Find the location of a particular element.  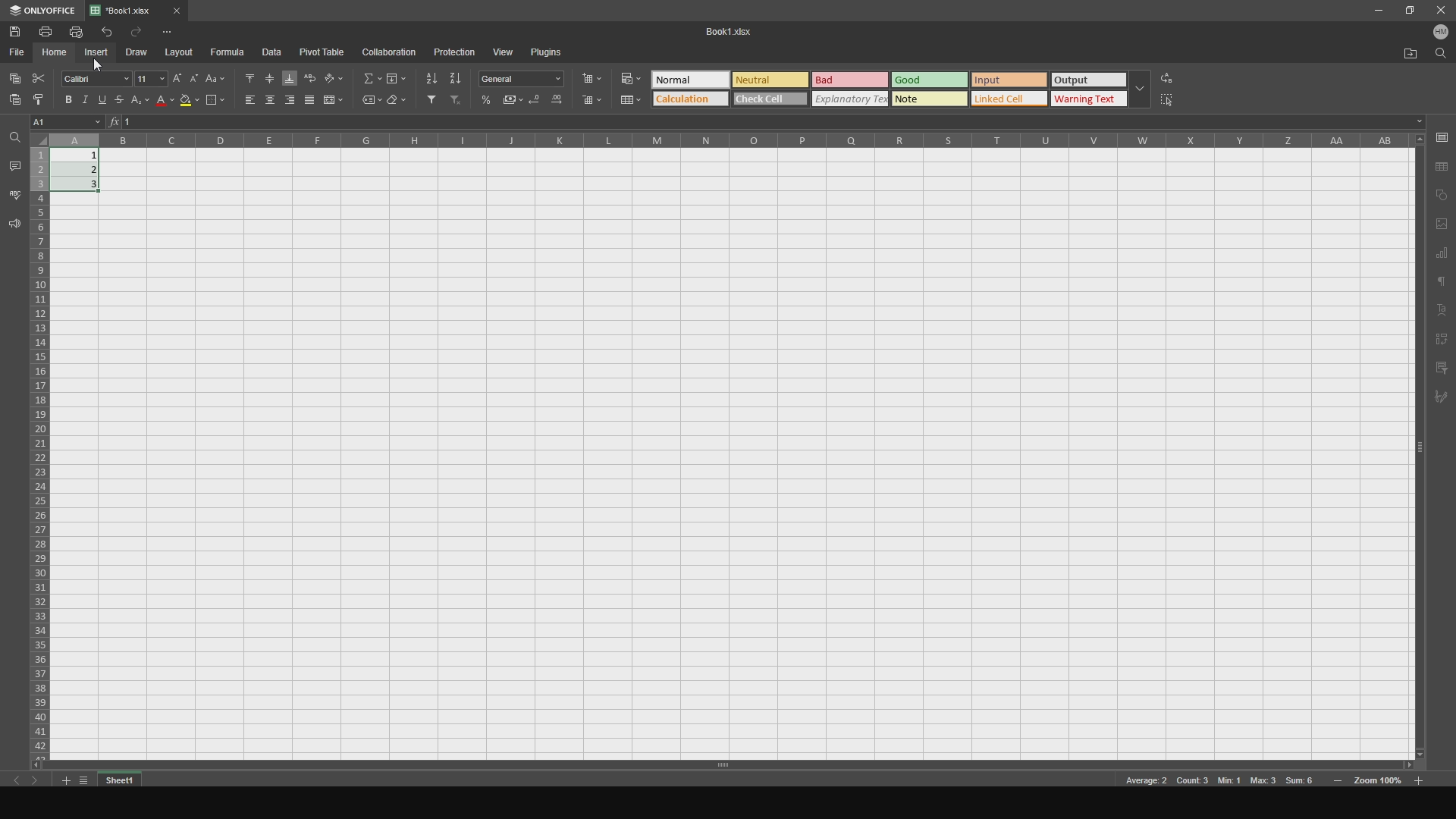

change case is located at coordinates (215, 76).